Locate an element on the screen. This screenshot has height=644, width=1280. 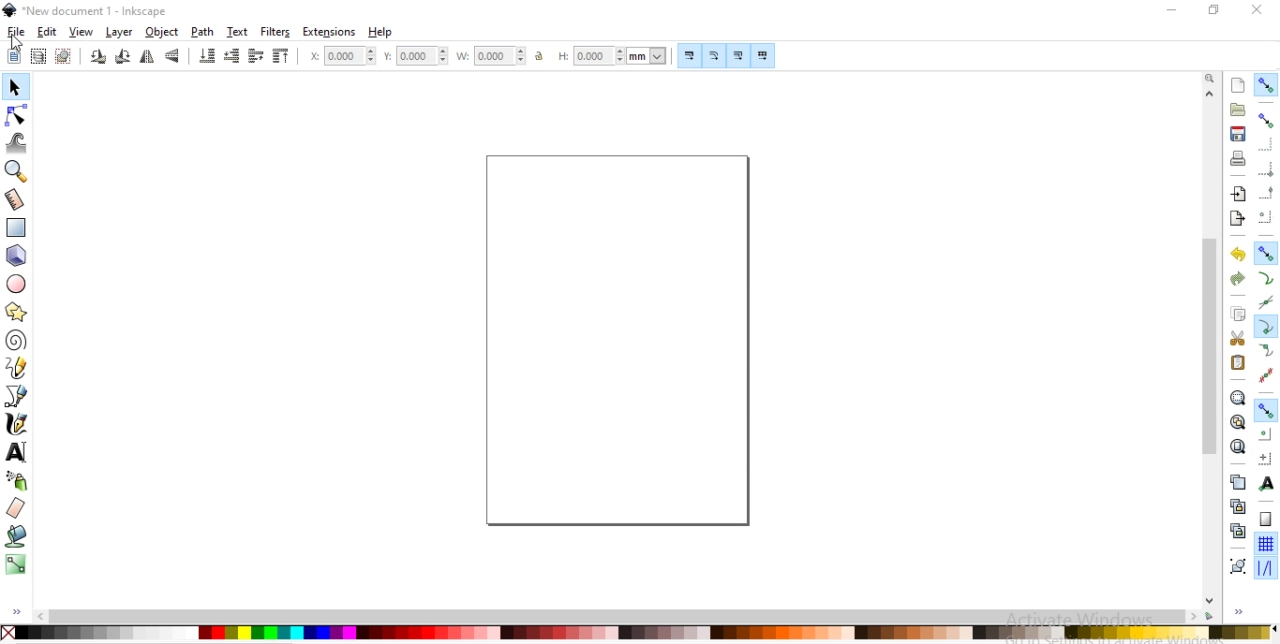
filters is located at coordinates (276, 32).